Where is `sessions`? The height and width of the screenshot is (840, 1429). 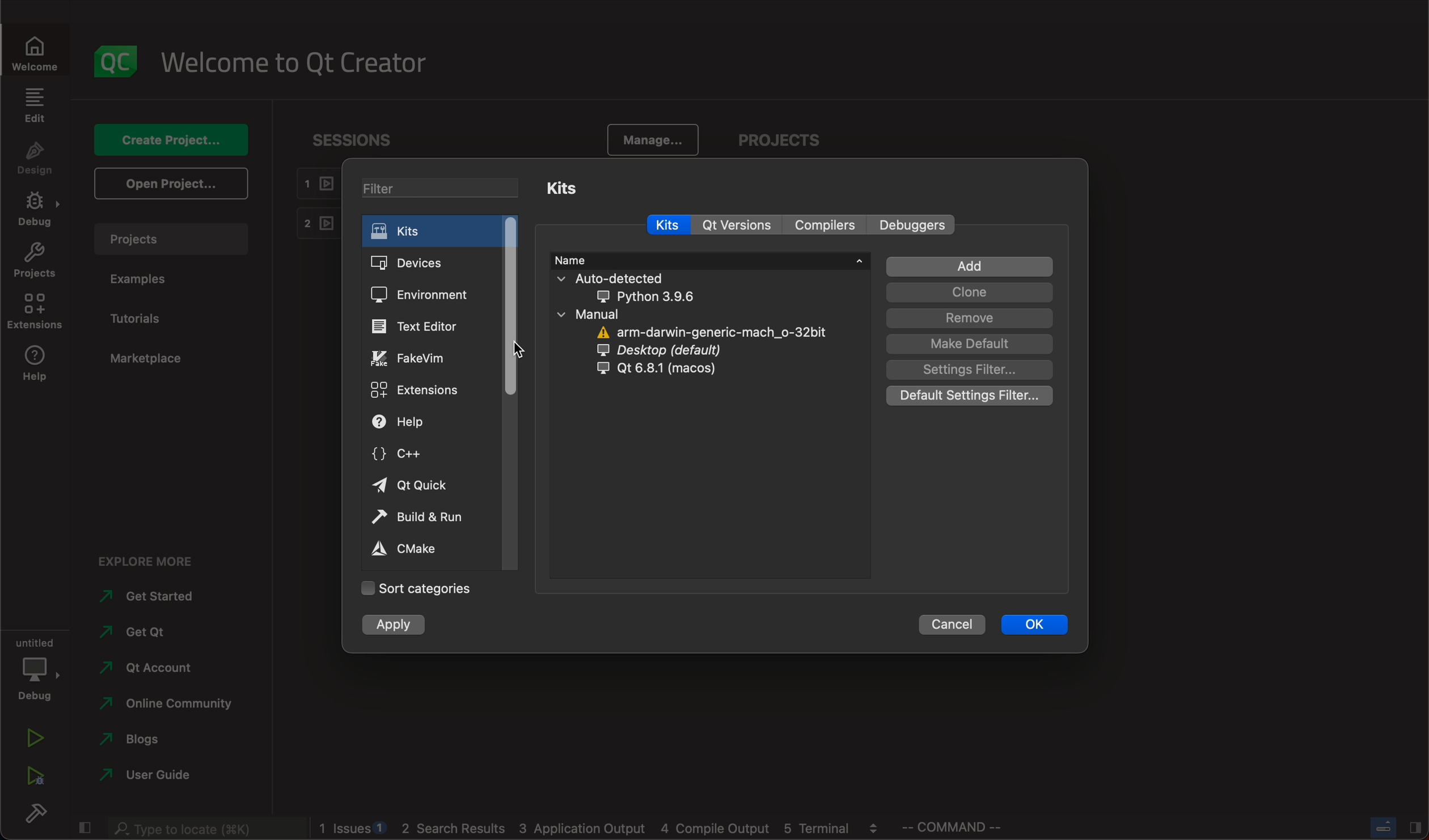
sessions is located at coordinates (363, 141).